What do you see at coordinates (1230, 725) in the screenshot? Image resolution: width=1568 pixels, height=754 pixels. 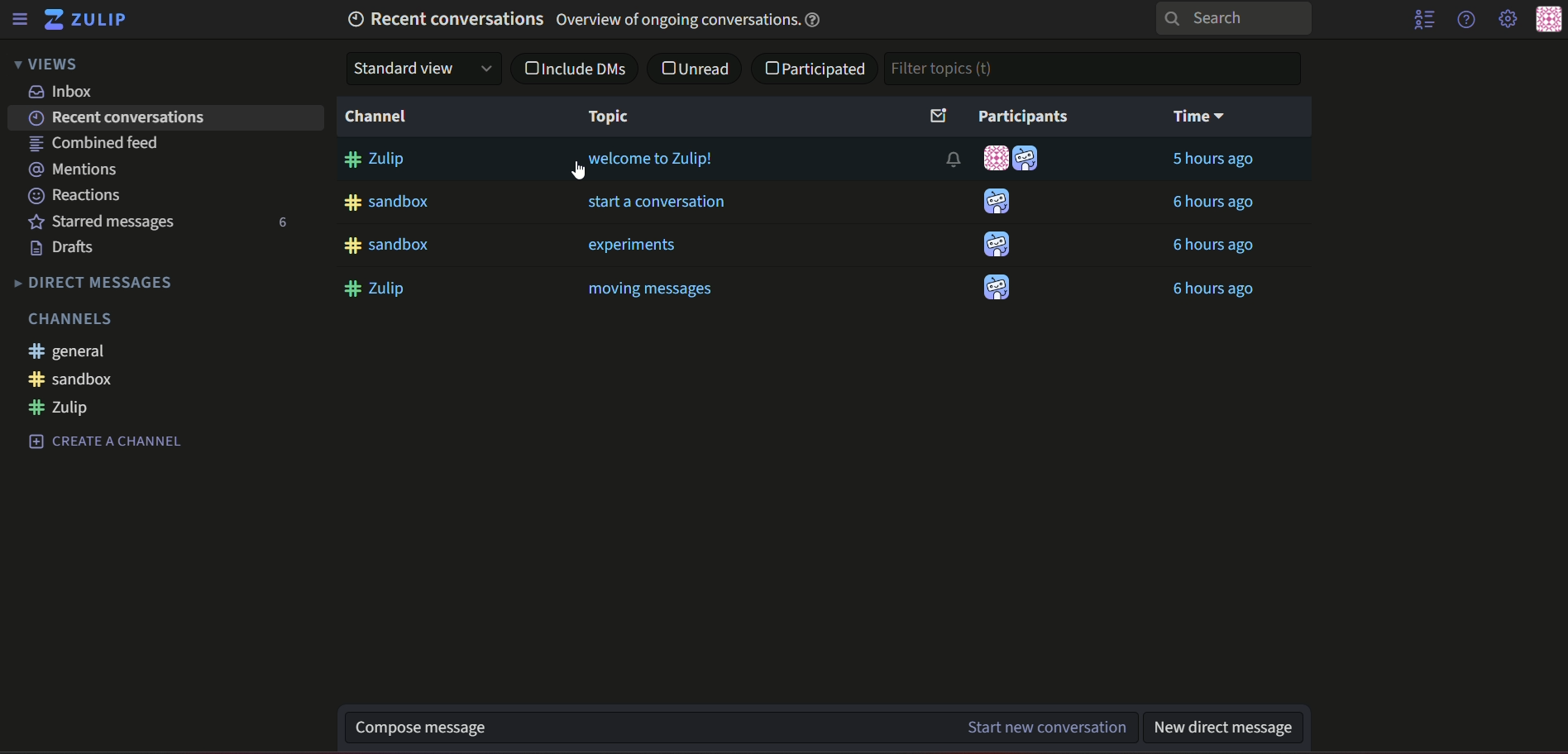 I see `New direct message` at bounding box center [1230, 725].